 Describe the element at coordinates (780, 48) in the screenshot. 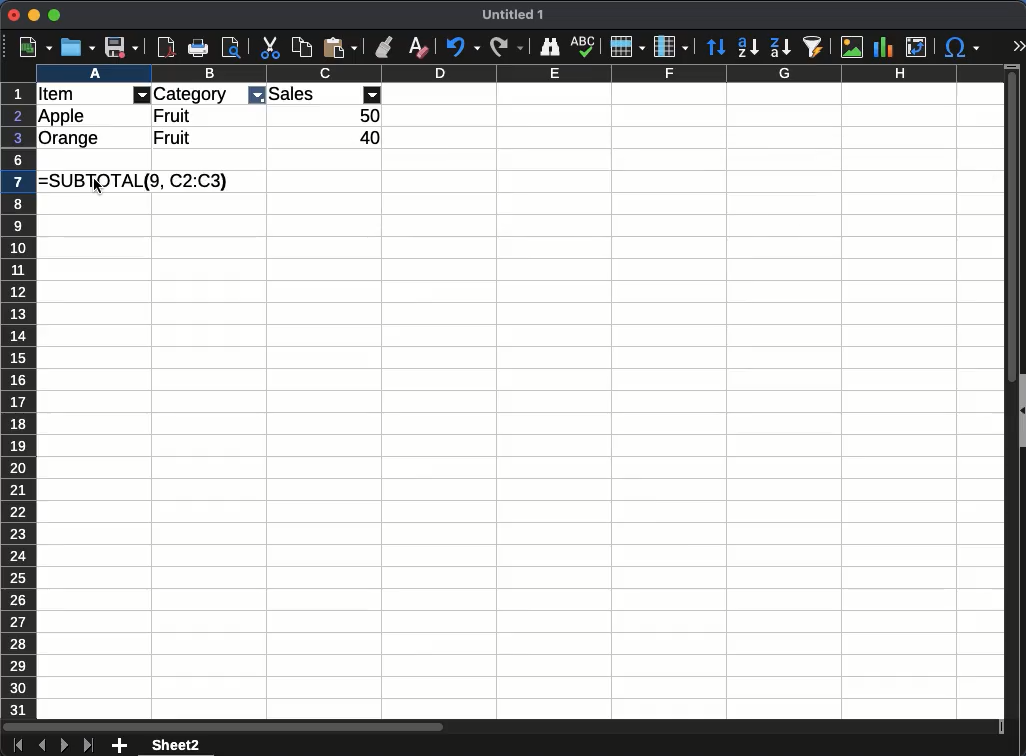

I see `descending` at that location.